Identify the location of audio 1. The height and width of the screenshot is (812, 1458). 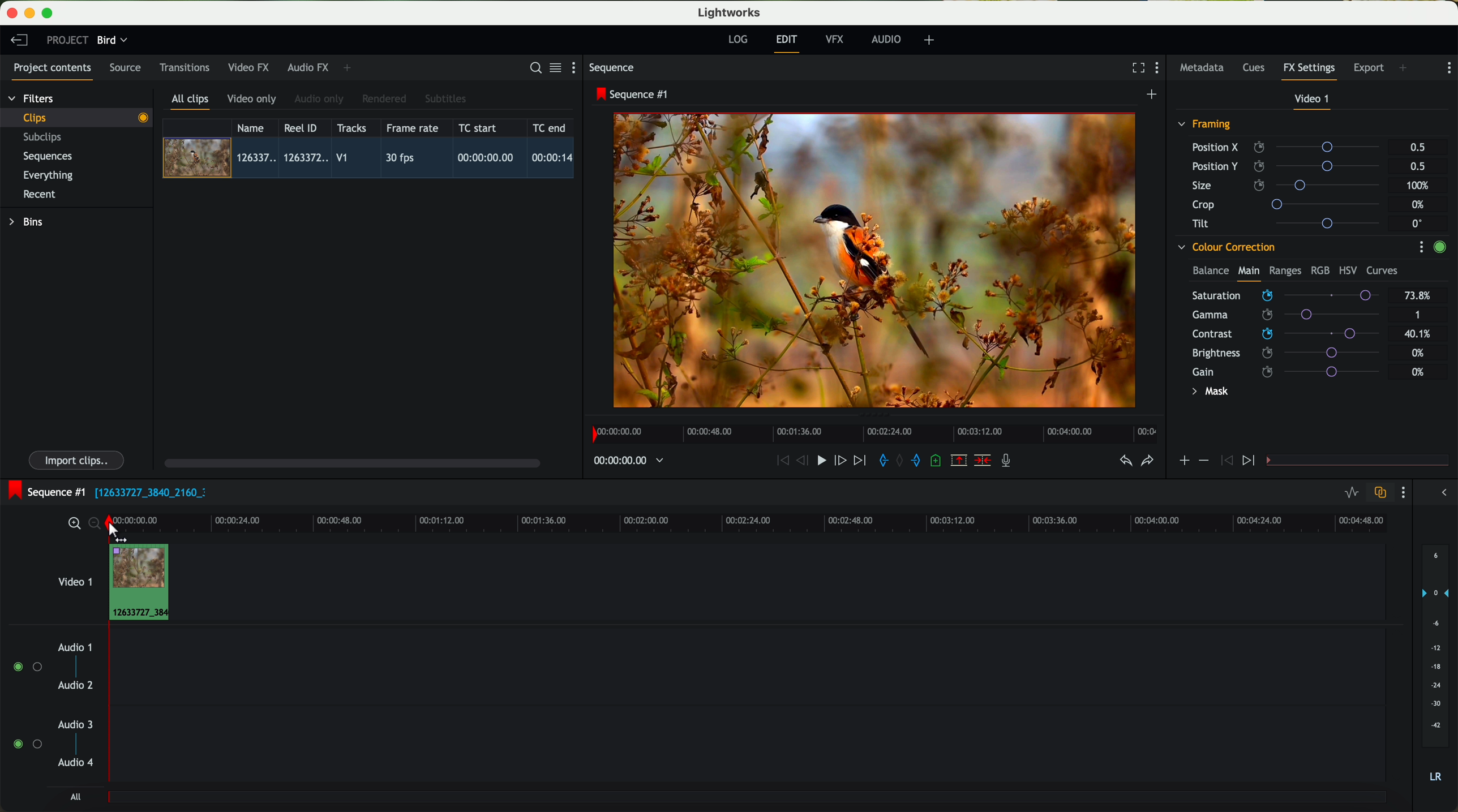
(75, 647).